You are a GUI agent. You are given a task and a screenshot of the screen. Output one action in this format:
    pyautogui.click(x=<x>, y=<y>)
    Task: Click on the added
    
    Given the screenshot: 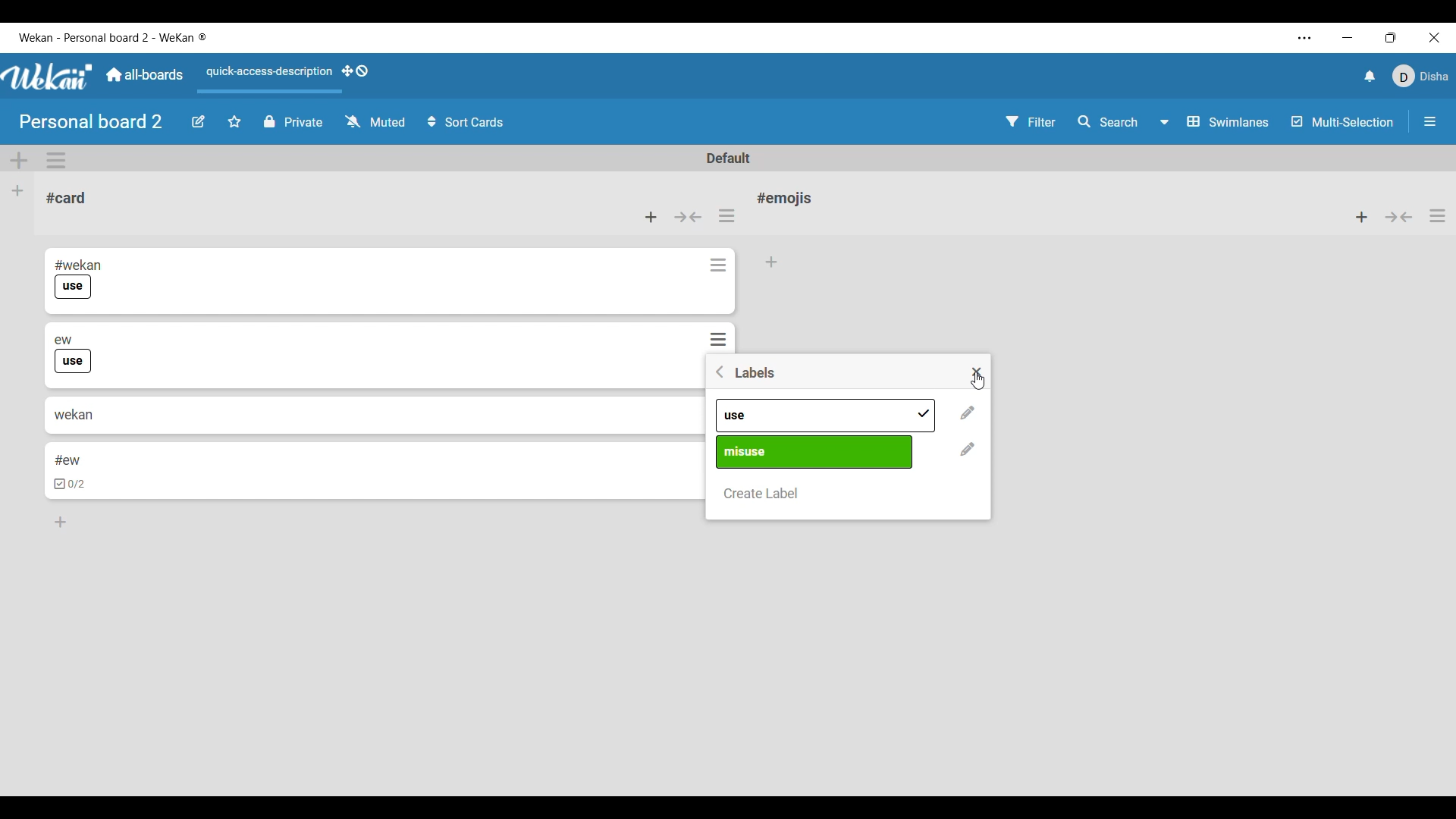 What is the action you would take?
    pyautogui.click(x=924, y=413)
    